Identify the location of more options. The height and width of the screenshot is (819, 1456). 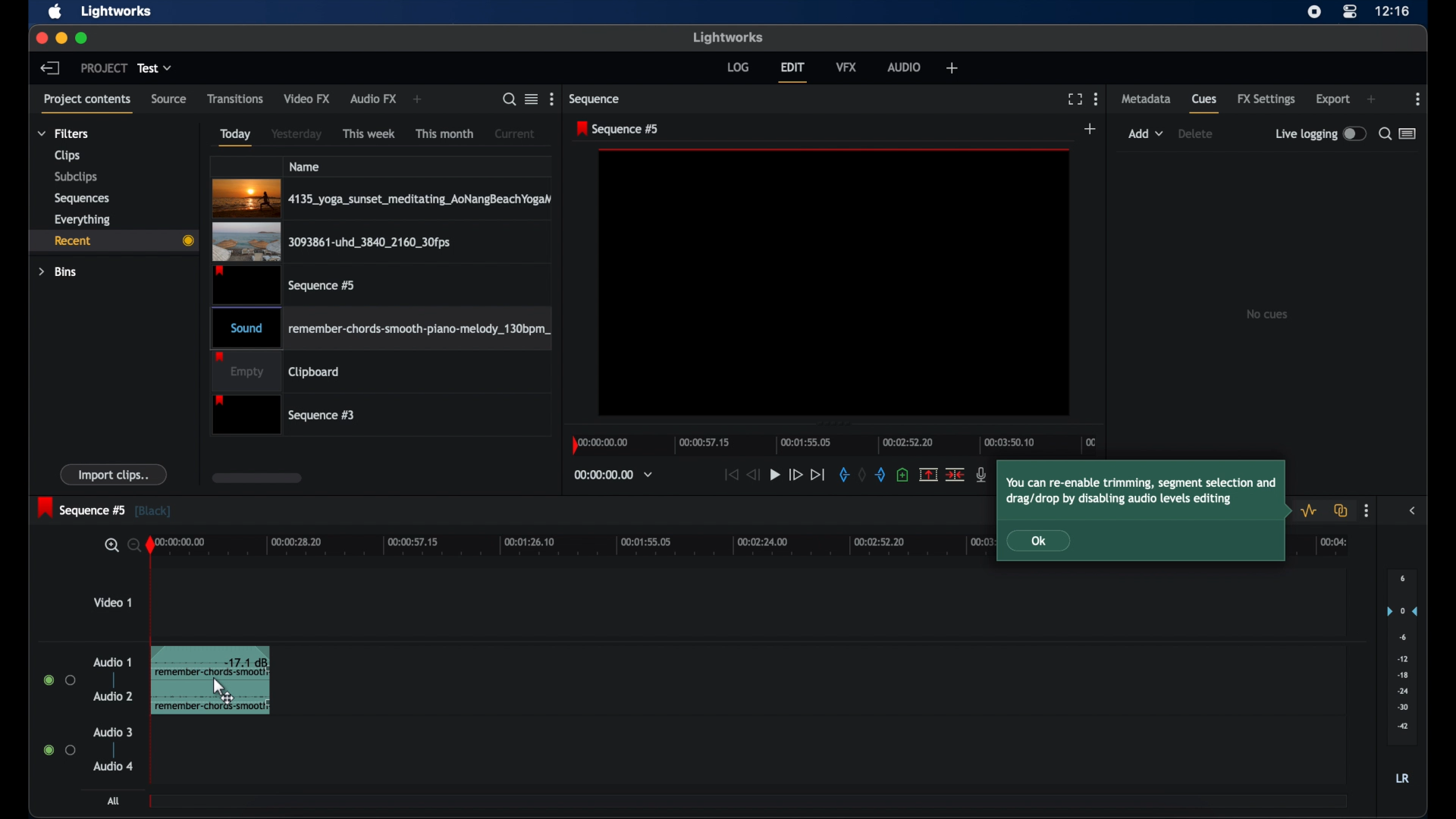
(1096, 99).